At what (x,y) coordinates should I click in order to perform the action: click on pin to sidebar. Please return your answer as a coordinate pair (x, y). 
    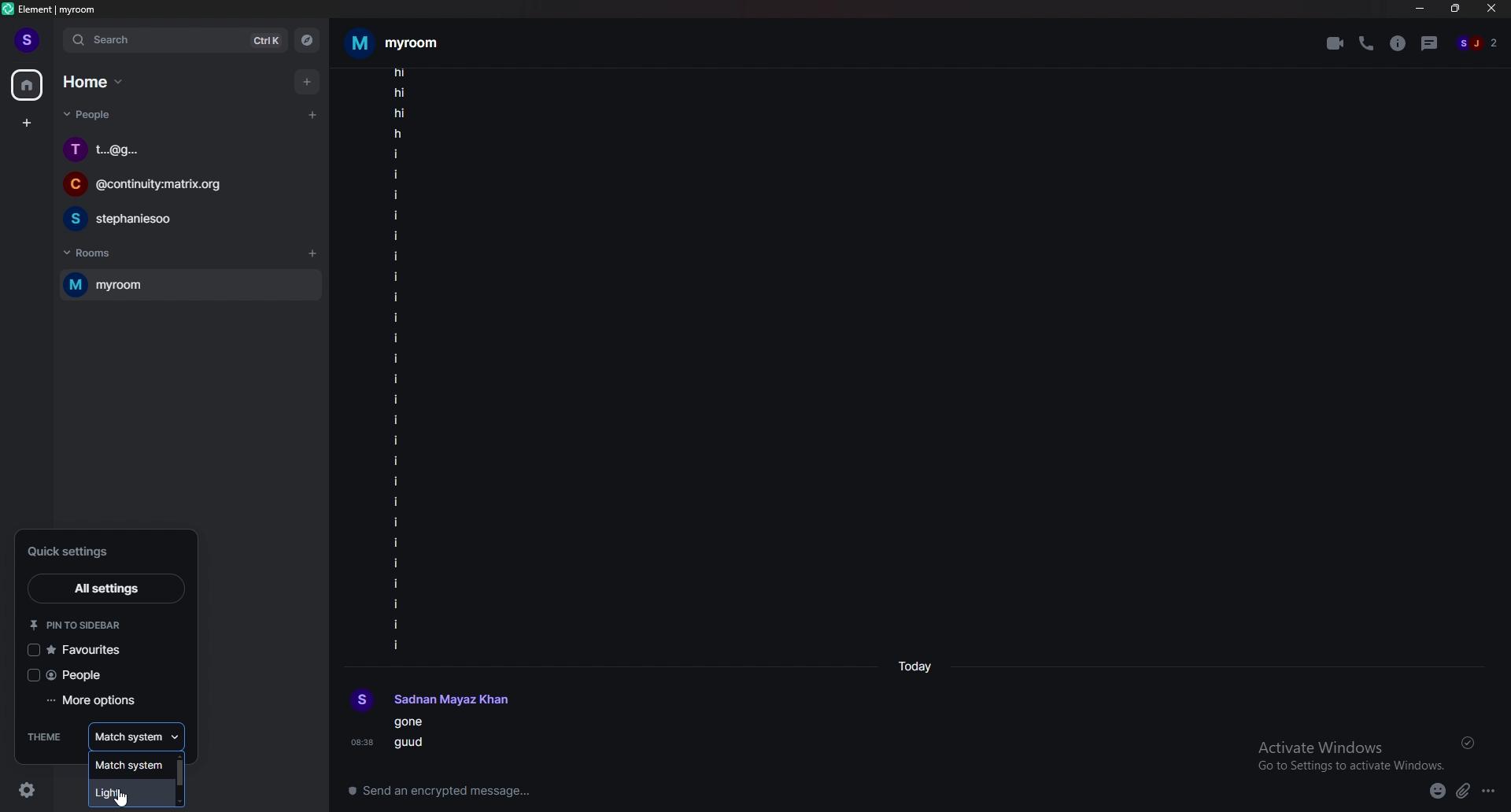
    Looking at the image, I should click on (91, 624).